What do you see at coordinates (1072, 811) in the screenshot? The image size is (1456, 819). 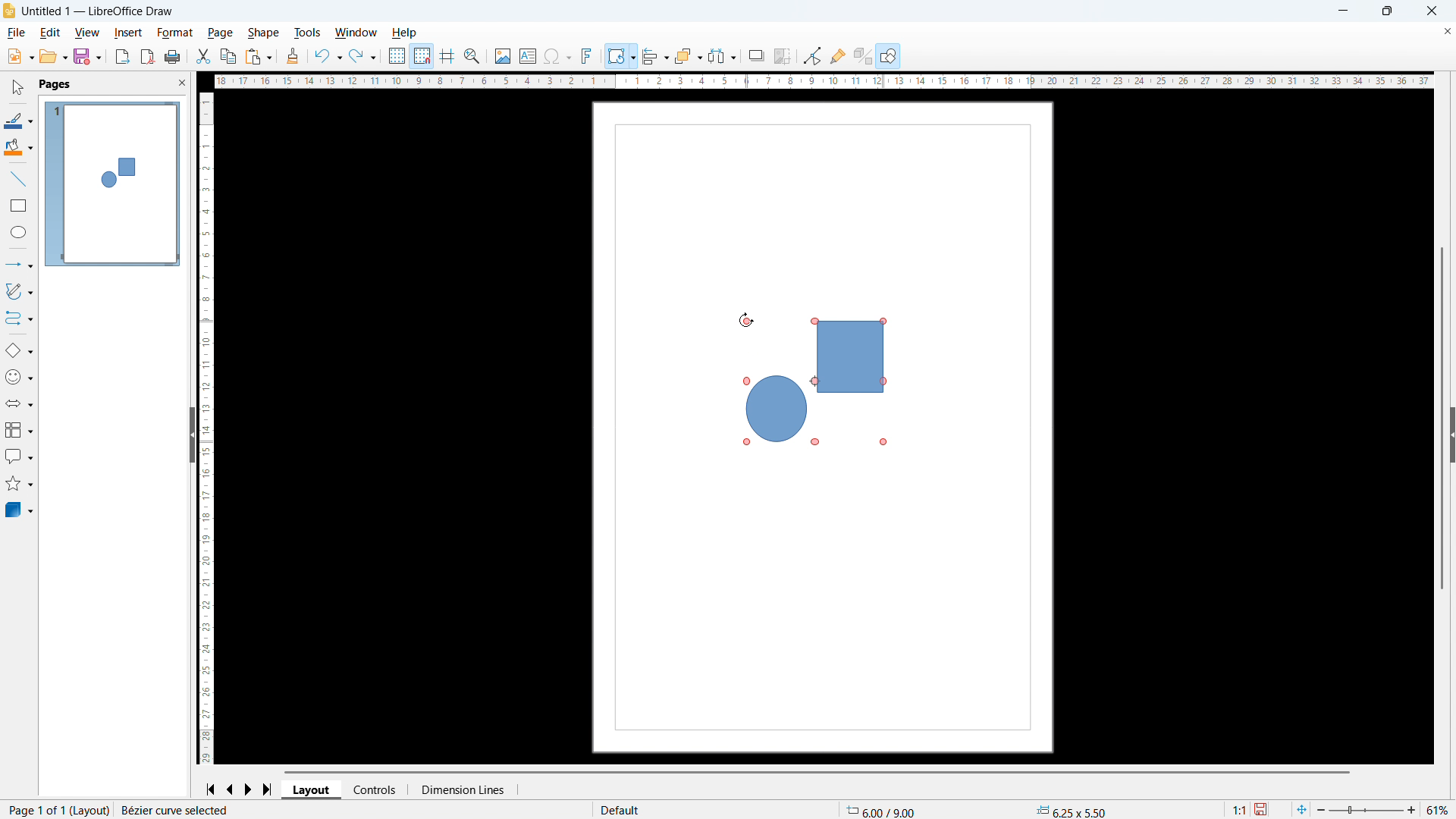 I see `Object dimensions ` at bounding box center [1072, 811].